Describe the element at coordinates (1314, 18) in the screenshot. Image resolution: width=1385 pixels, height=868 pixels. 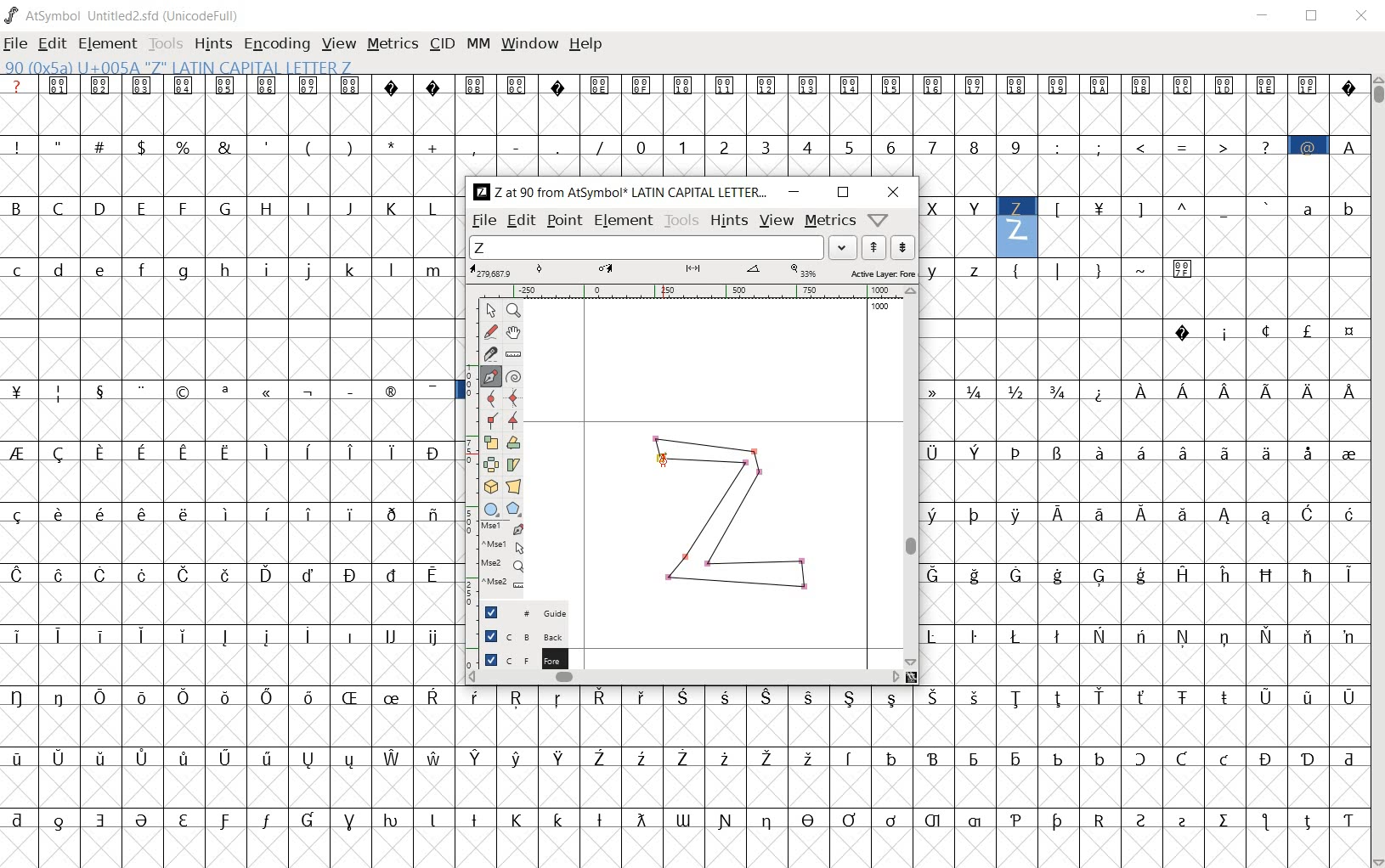
I see `restore down` at that location.